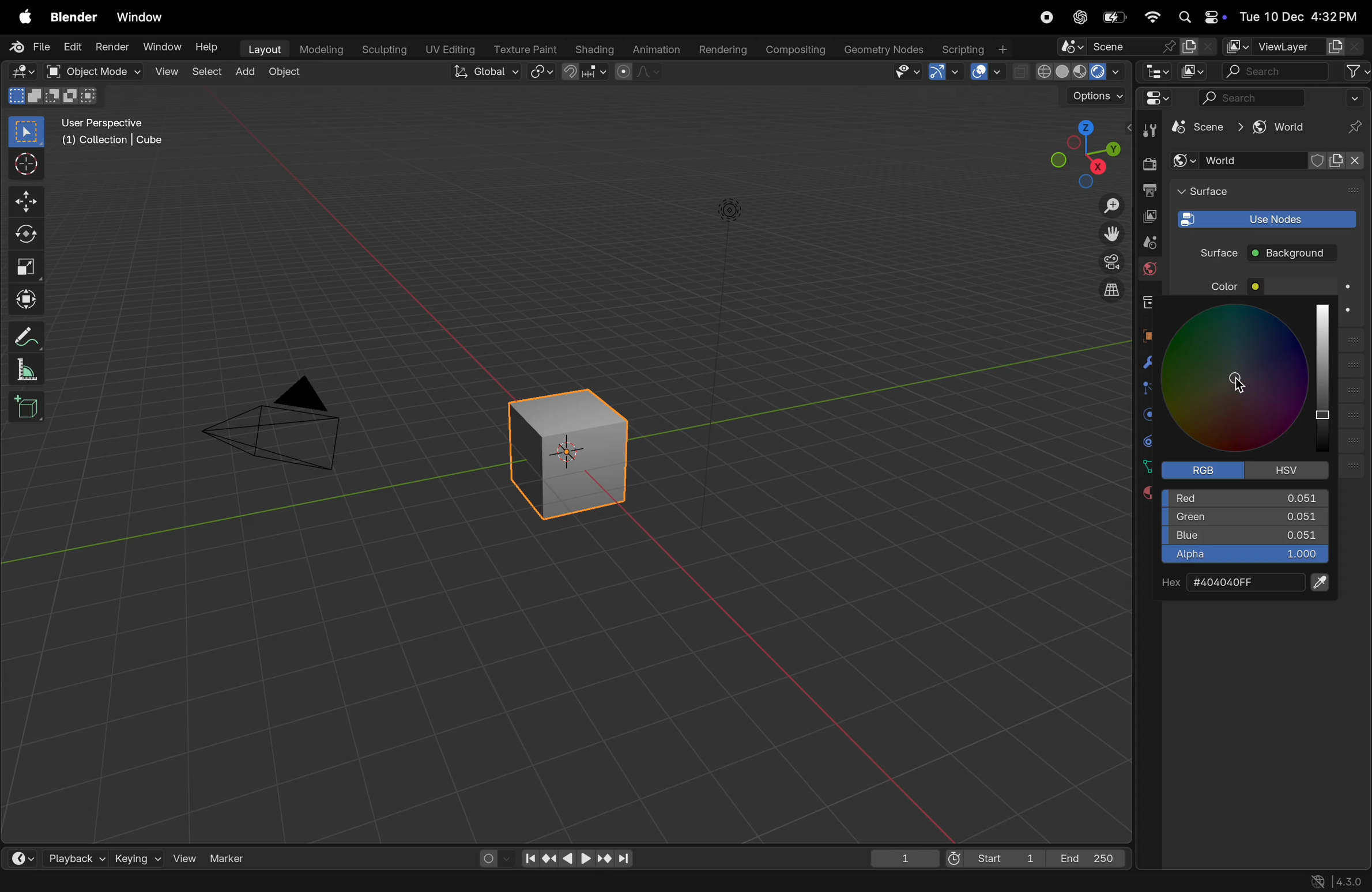 This screenshot has height=892, width=1372. Describe the element at coordinates (1154, 71) in the screenshot. I see `editor mode` at that location.